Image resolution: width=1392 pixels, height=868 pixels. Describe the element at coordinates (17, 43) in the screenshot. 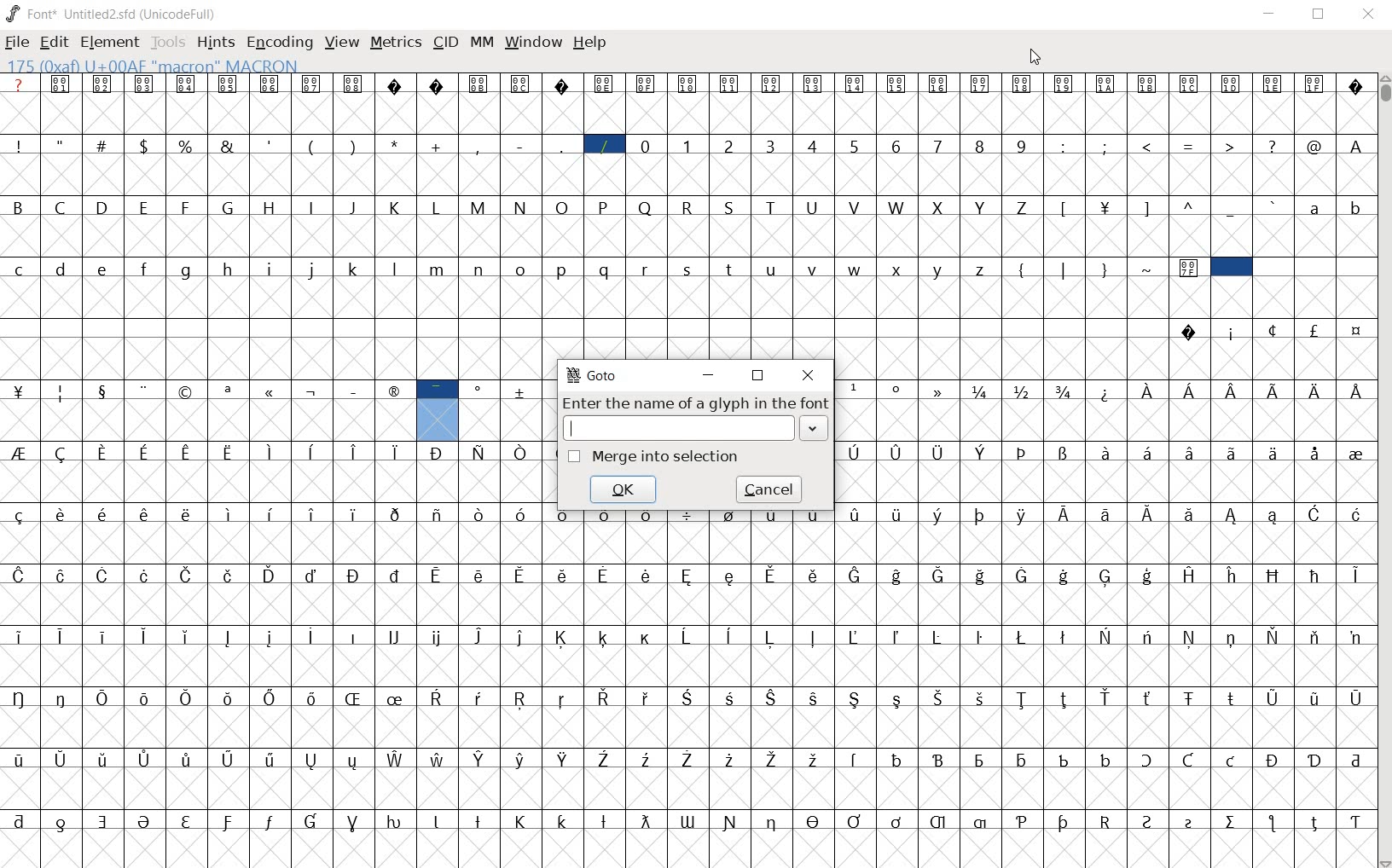

I see `FILE` at that location.